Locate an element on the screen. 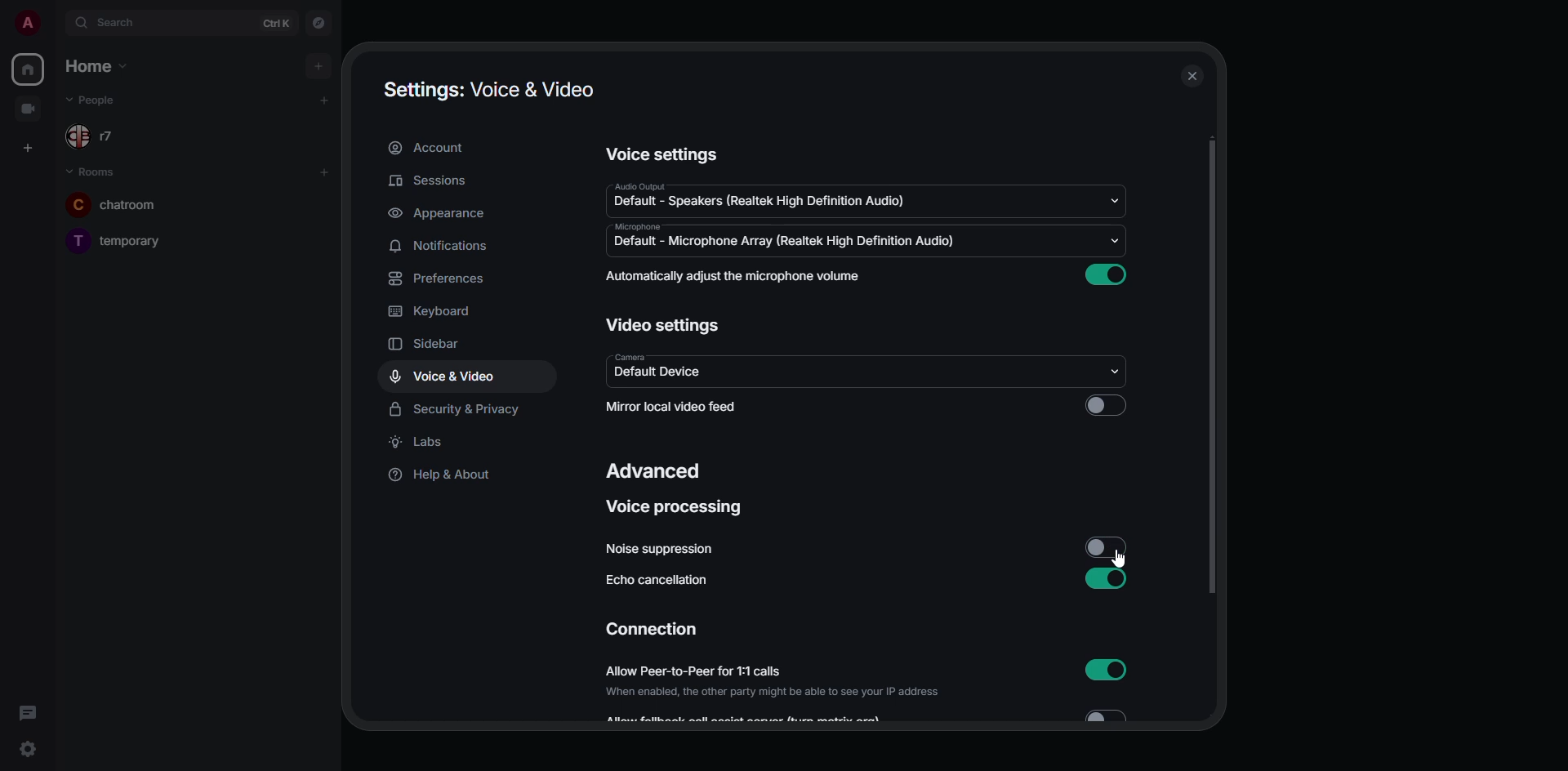  video room is located at coordinates (29, 109).